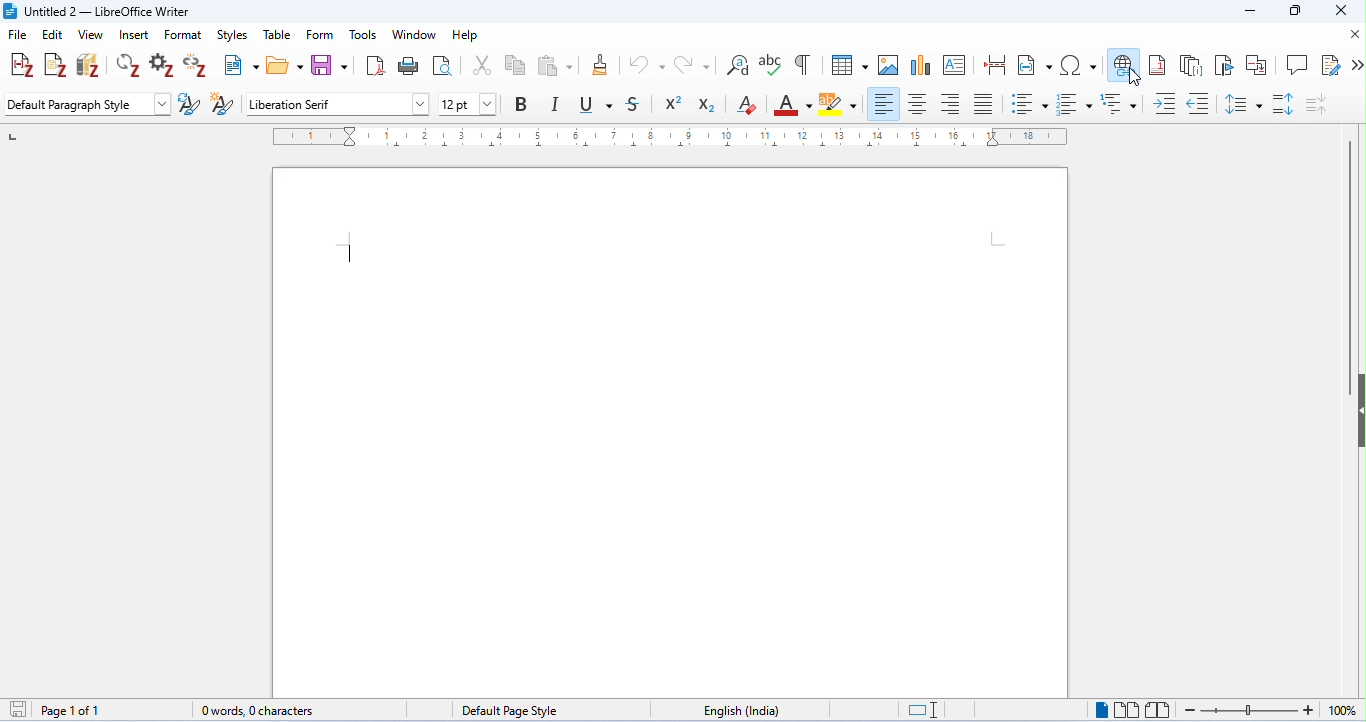 The image size is (1366, 722). I want to click on undo, so click(647, 65).